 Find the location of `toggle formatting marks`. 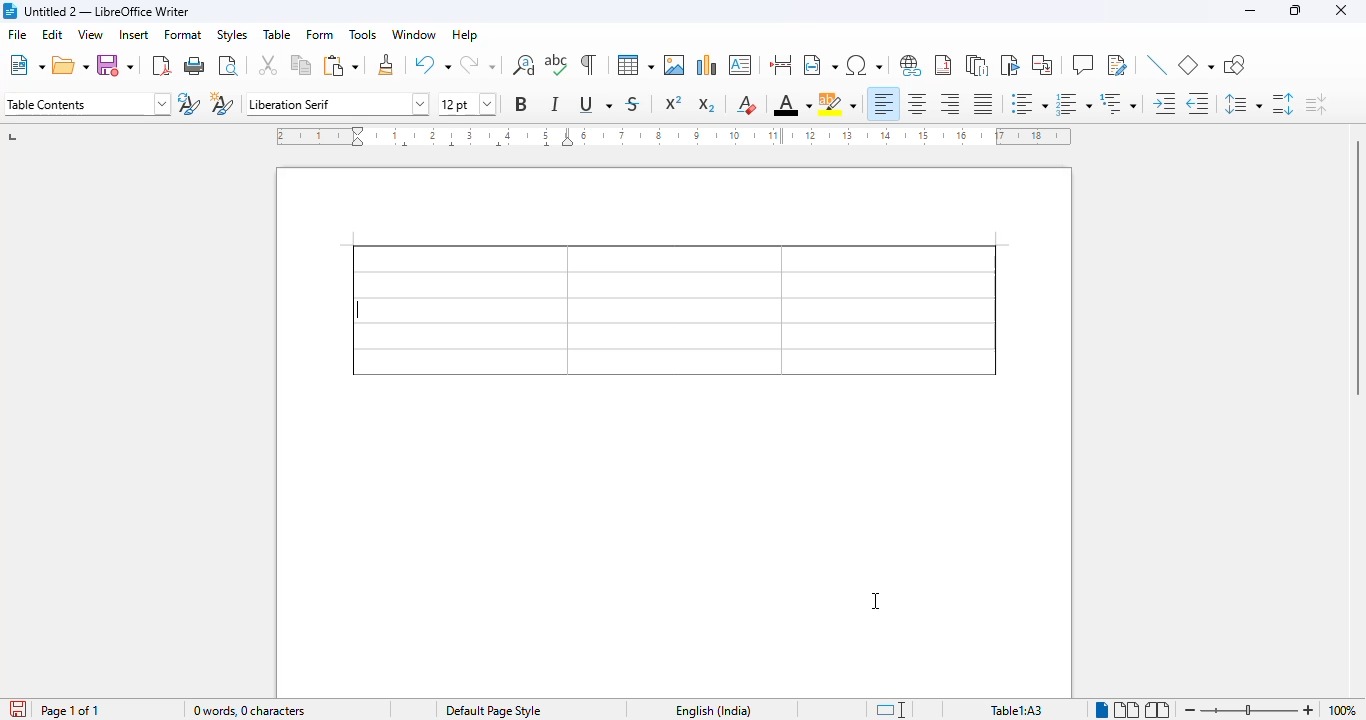

toggle formatting marks is located at coordinates (588, 64).